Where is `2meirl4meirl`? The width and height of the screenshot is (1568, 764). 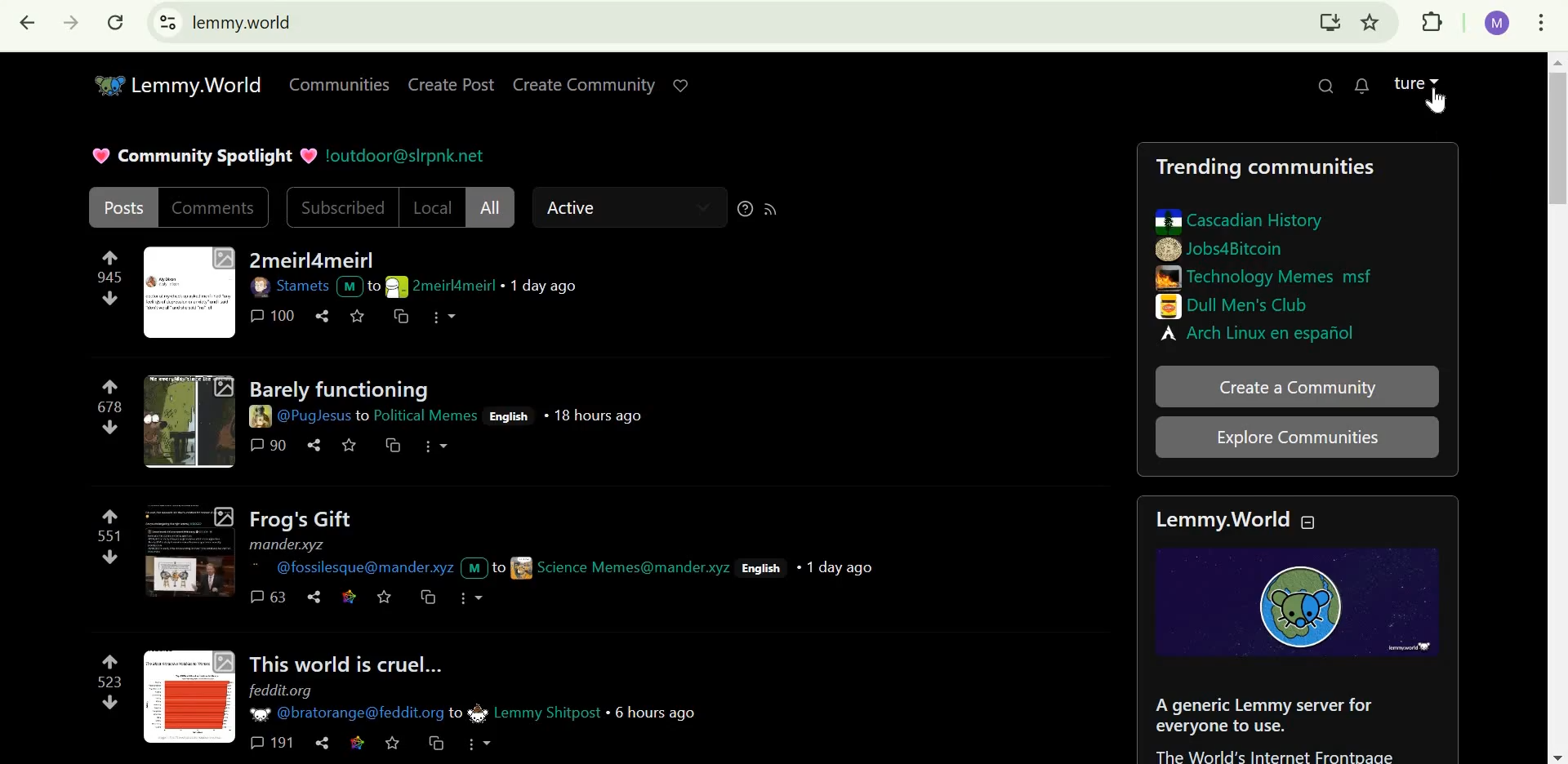 2meirl4meirl is located at coordinates (311, 260).